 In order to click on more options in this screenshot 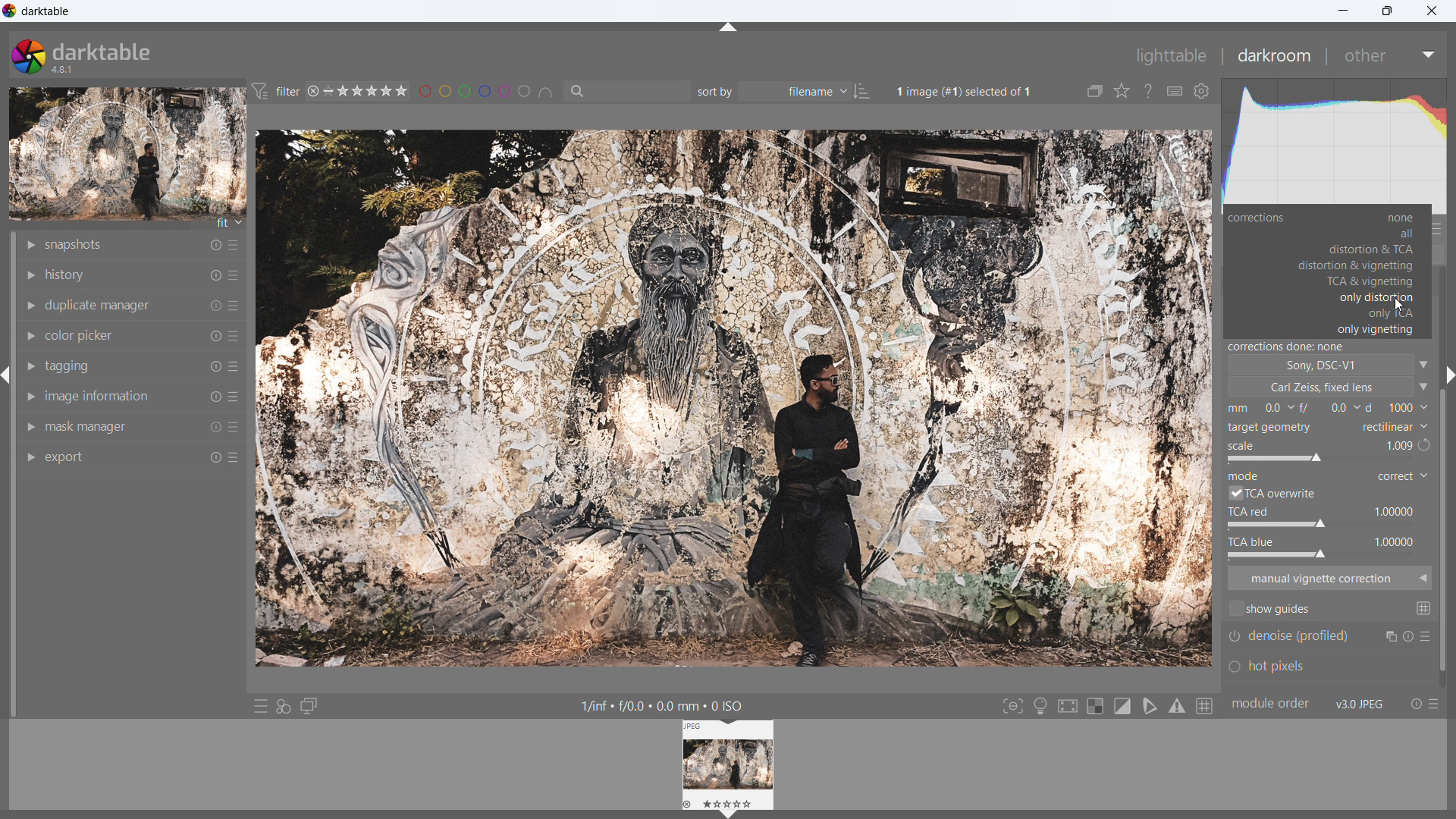, I will do `click(237, 400)`.